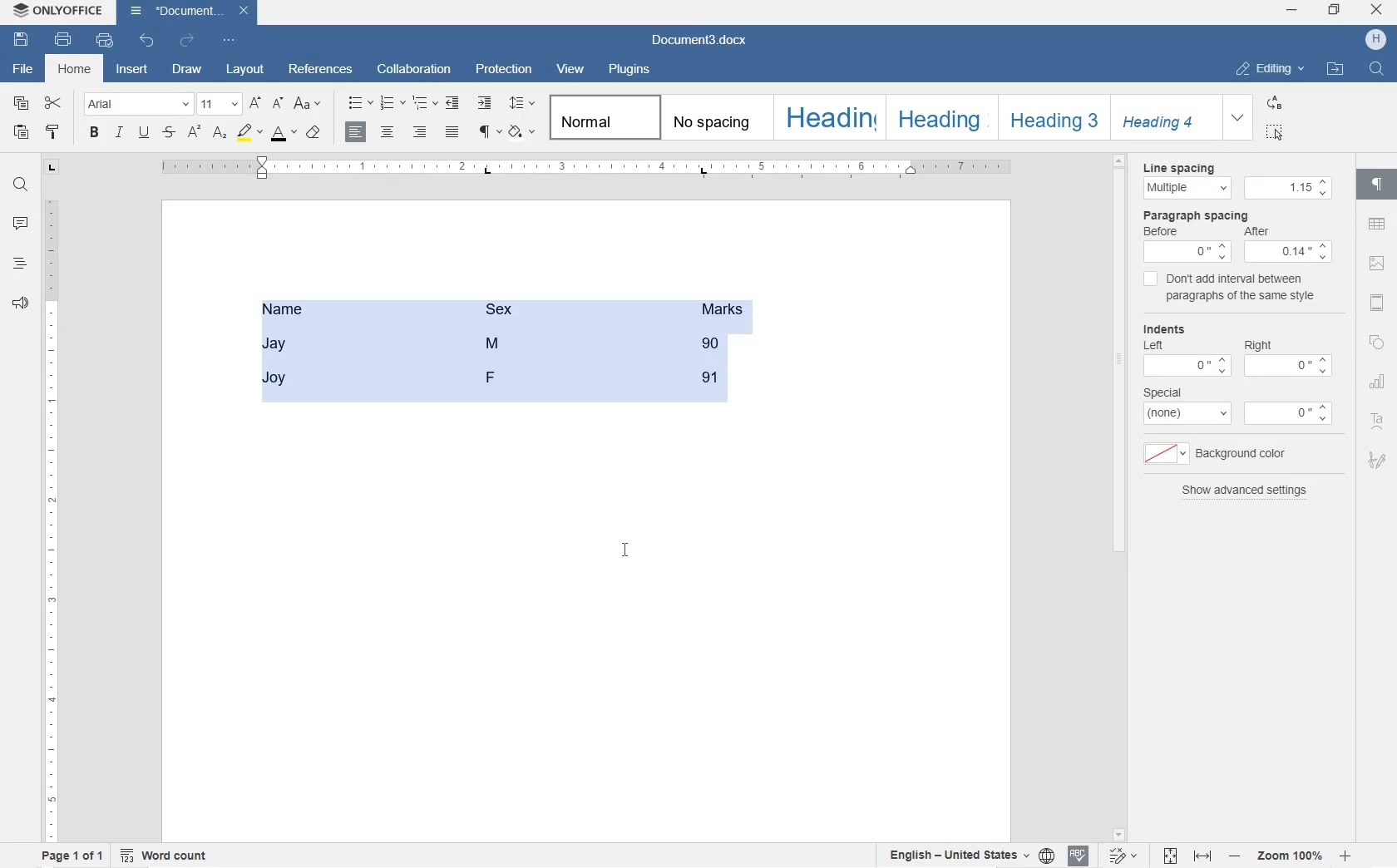 The height and width of the screenshot is (868, 1397). Describe the element at coordinates (94, 133) in the screenshot. I see `BOLD` at that location.